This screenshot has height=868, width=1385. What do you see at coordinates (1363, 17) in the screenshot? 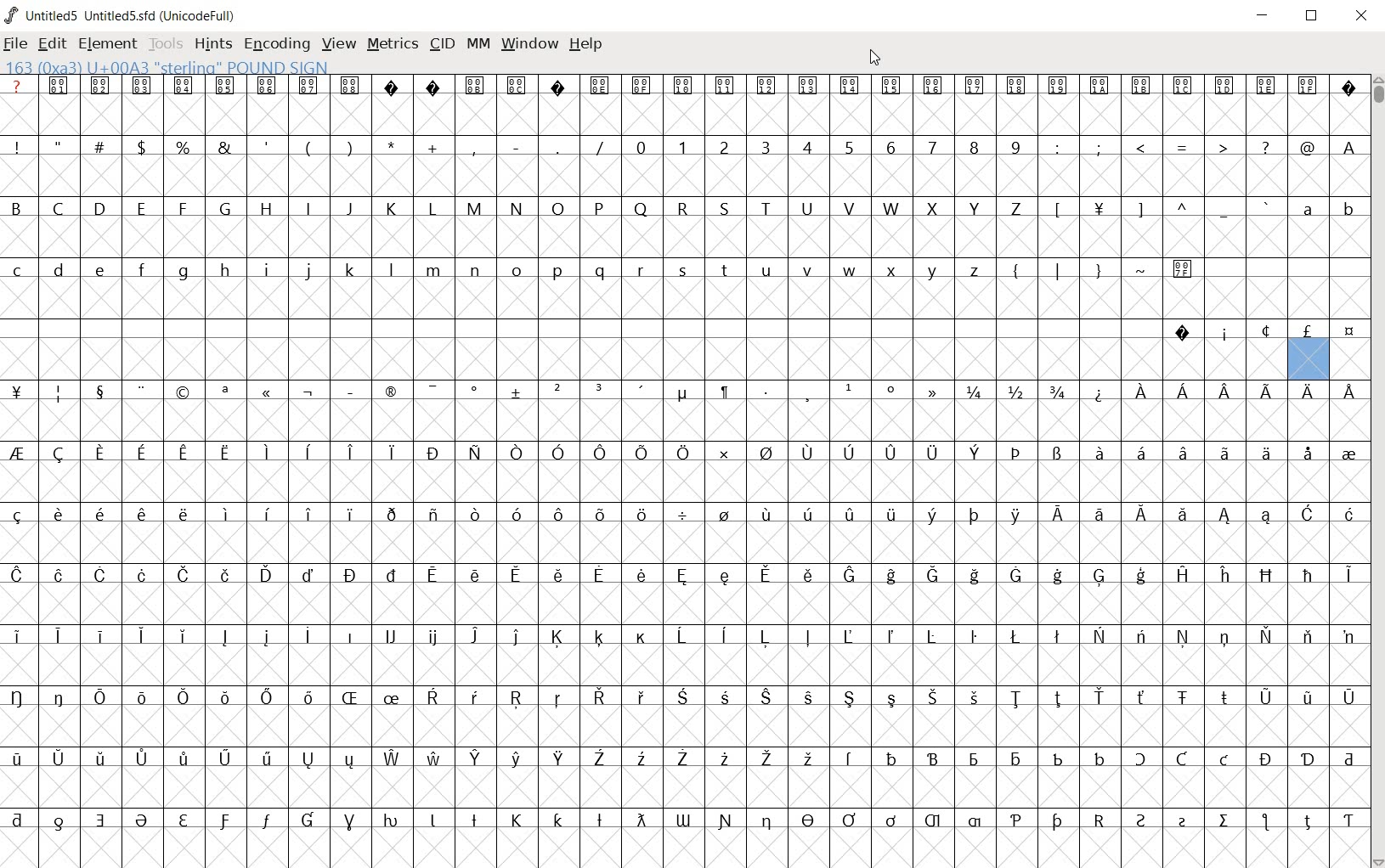
I see `close` at bounding box center [1363, 17].